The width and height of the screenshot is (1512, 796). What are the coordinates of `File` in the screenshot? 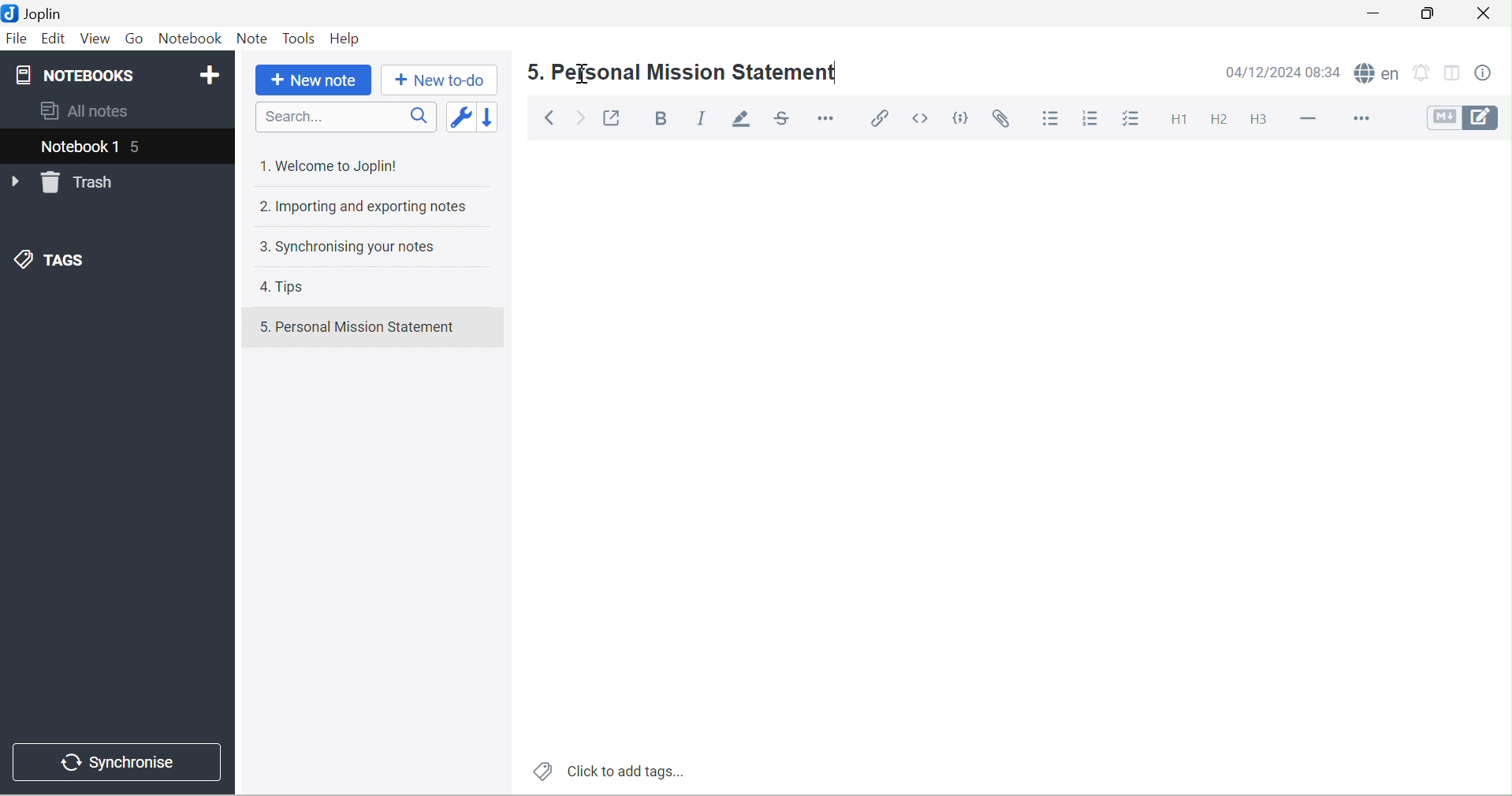 It's located at (17, 38).